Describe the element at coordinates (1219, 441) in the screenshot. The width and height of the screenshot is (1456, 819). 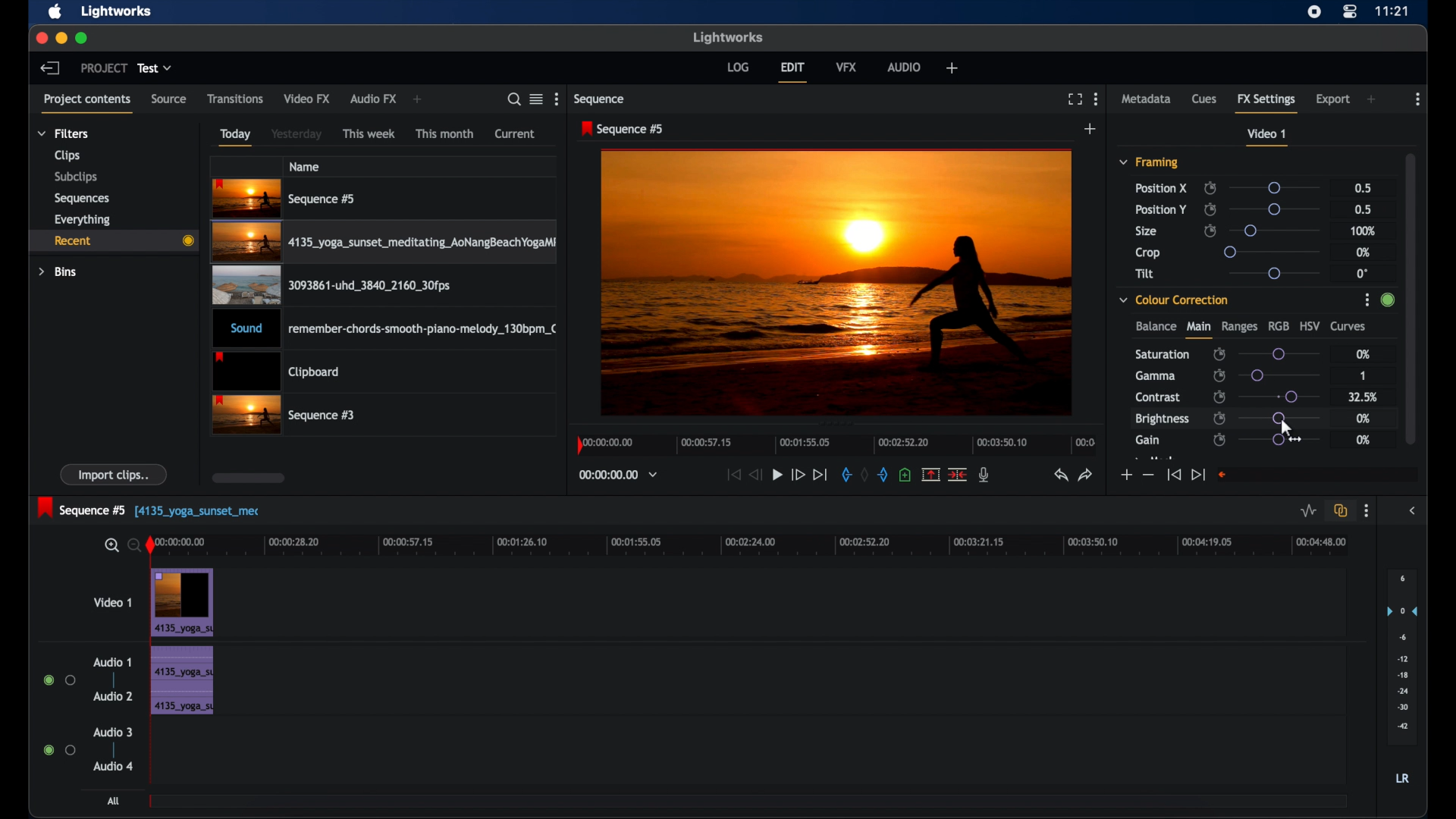
I see `enable/disable keyframes` at that location.